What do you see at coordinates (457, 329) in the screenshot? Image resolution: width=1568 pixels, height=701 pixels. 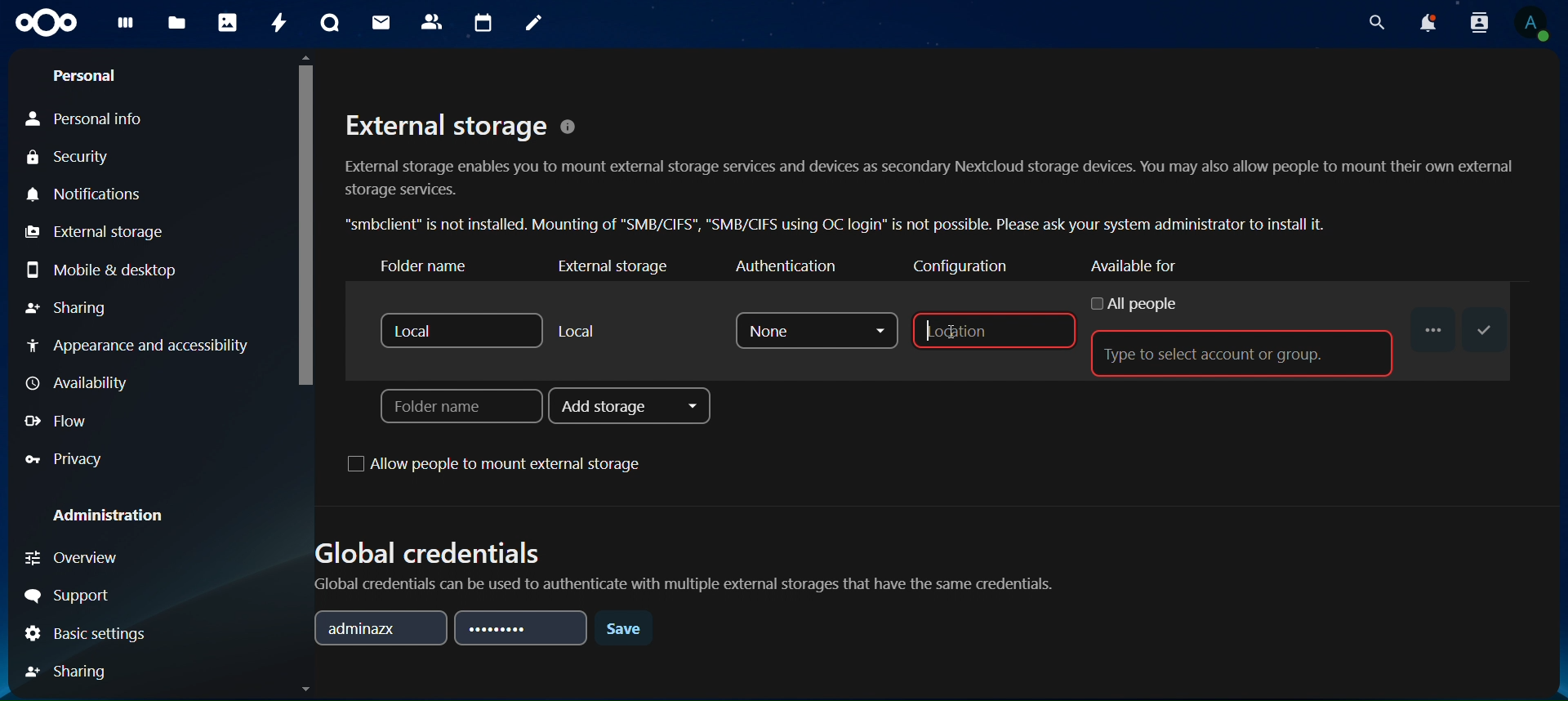 I see `local` at bounding box center [457, 329].